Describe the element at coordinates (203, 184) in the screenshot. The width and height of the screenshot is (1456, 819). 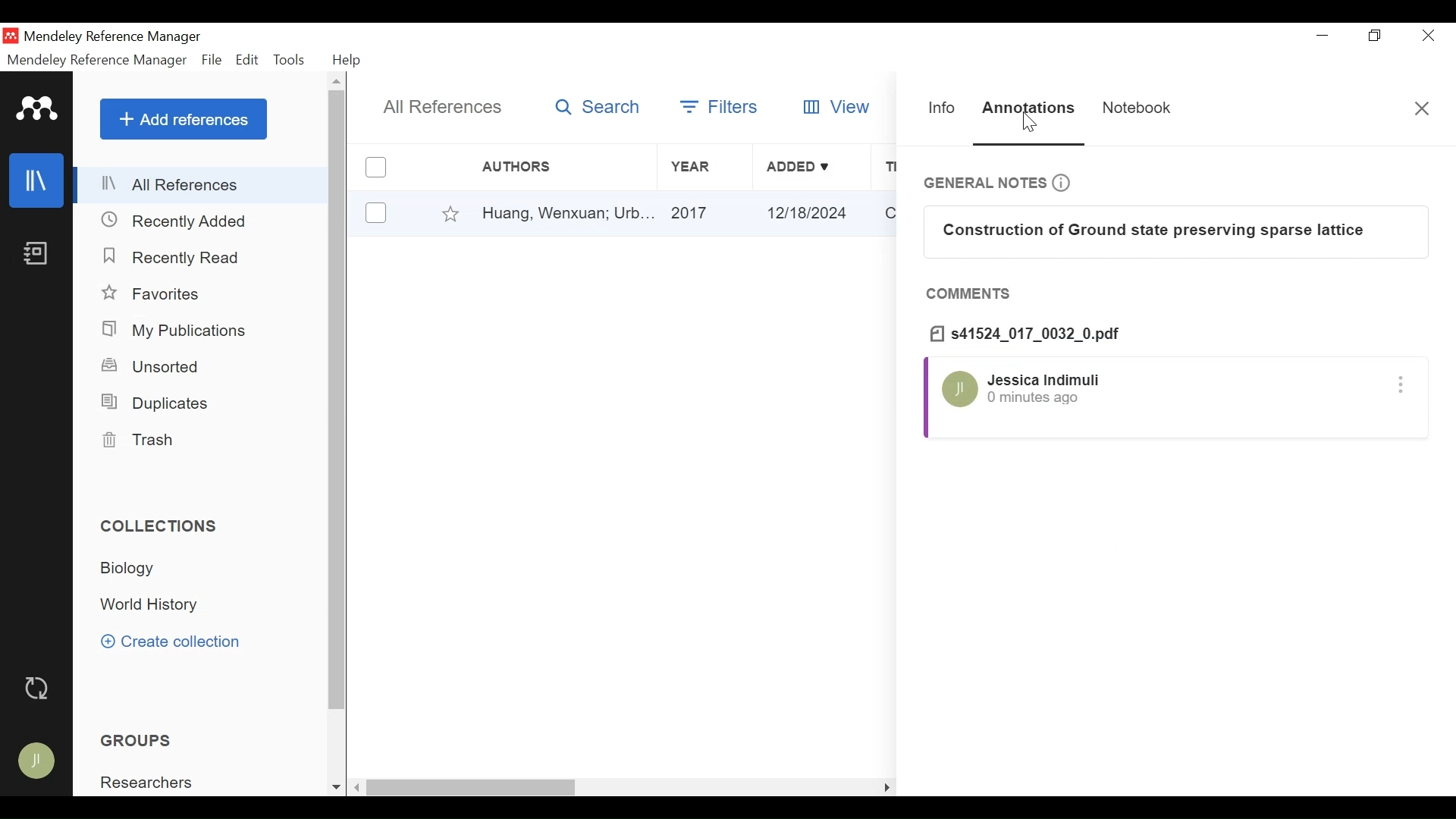
I see `All References` at that location.